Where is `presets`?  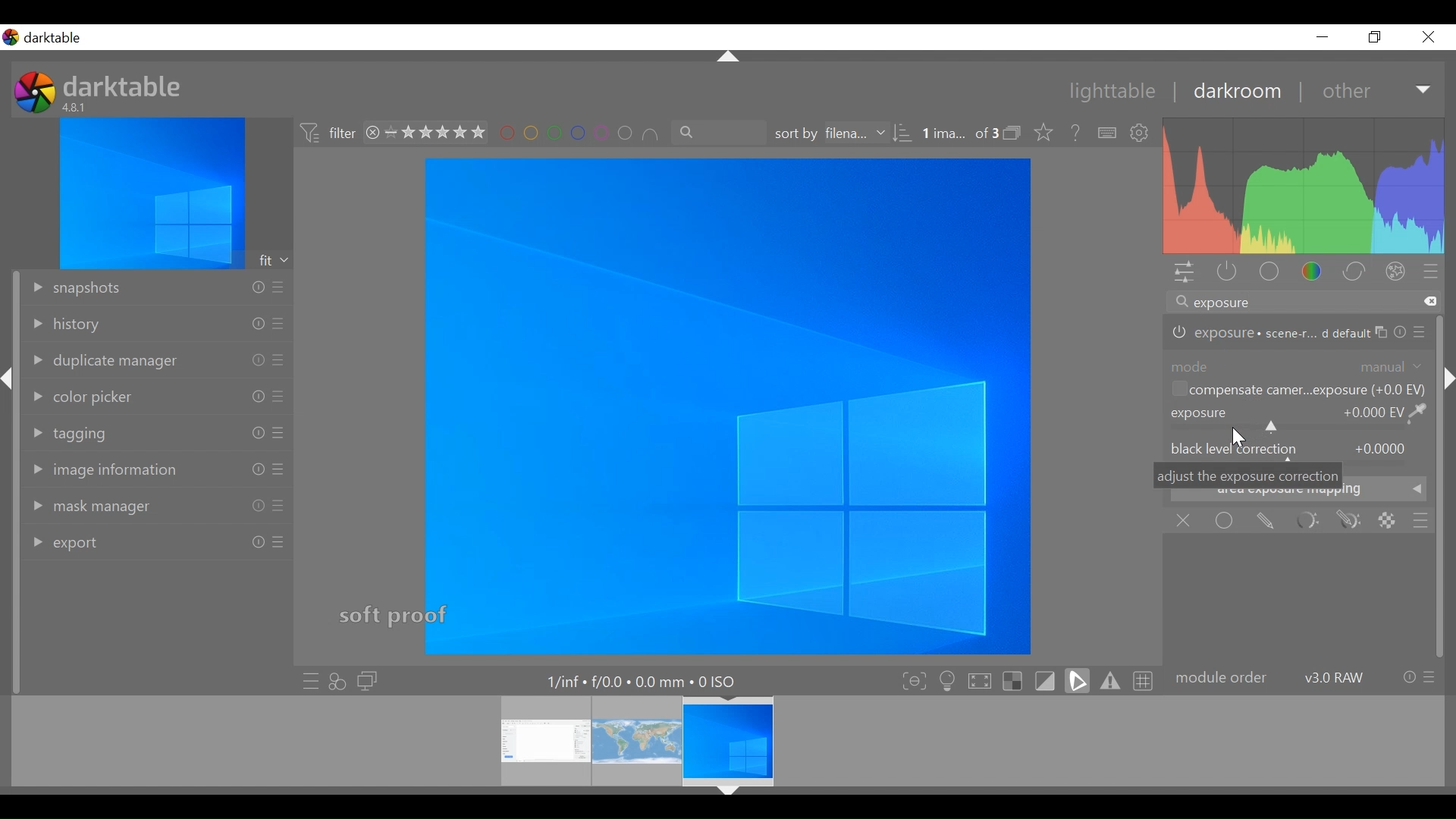
presets is located at coordinates (1422, 332).